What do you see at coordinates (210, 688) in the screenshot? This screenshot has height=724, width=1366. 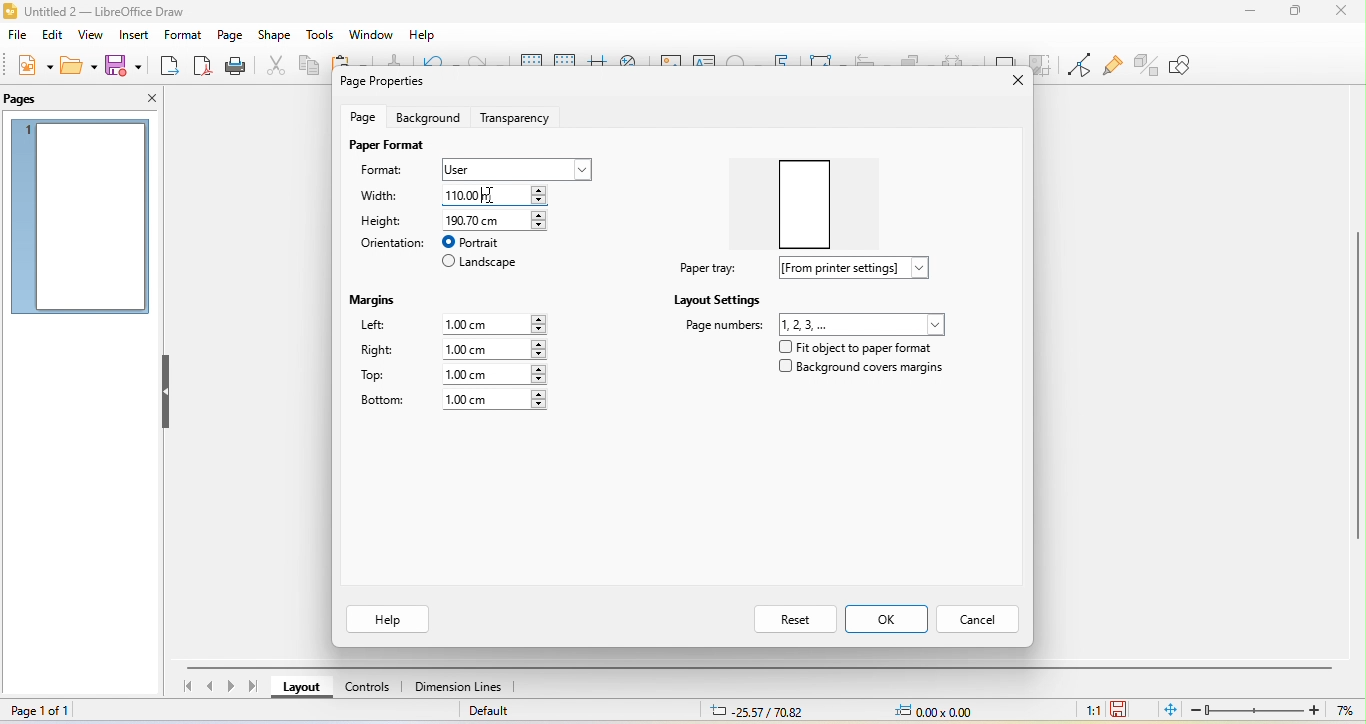 I see `previous page` at bounding box center [210, 688].